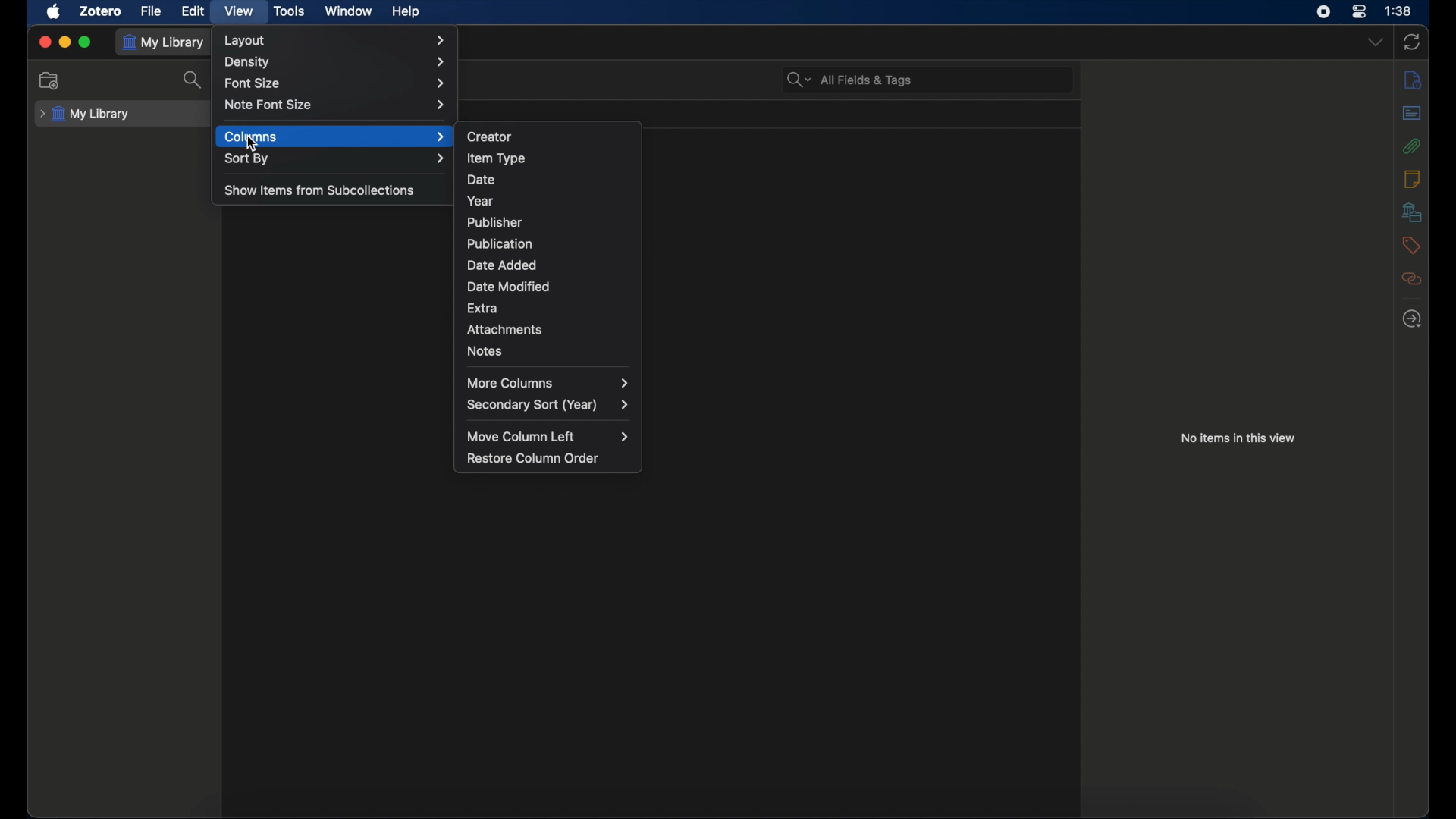 The image size is (1456, 819). What do you see at coordinates (64, 42) in the screenshot?
I see `minimize` at bounding box center [64, 42].